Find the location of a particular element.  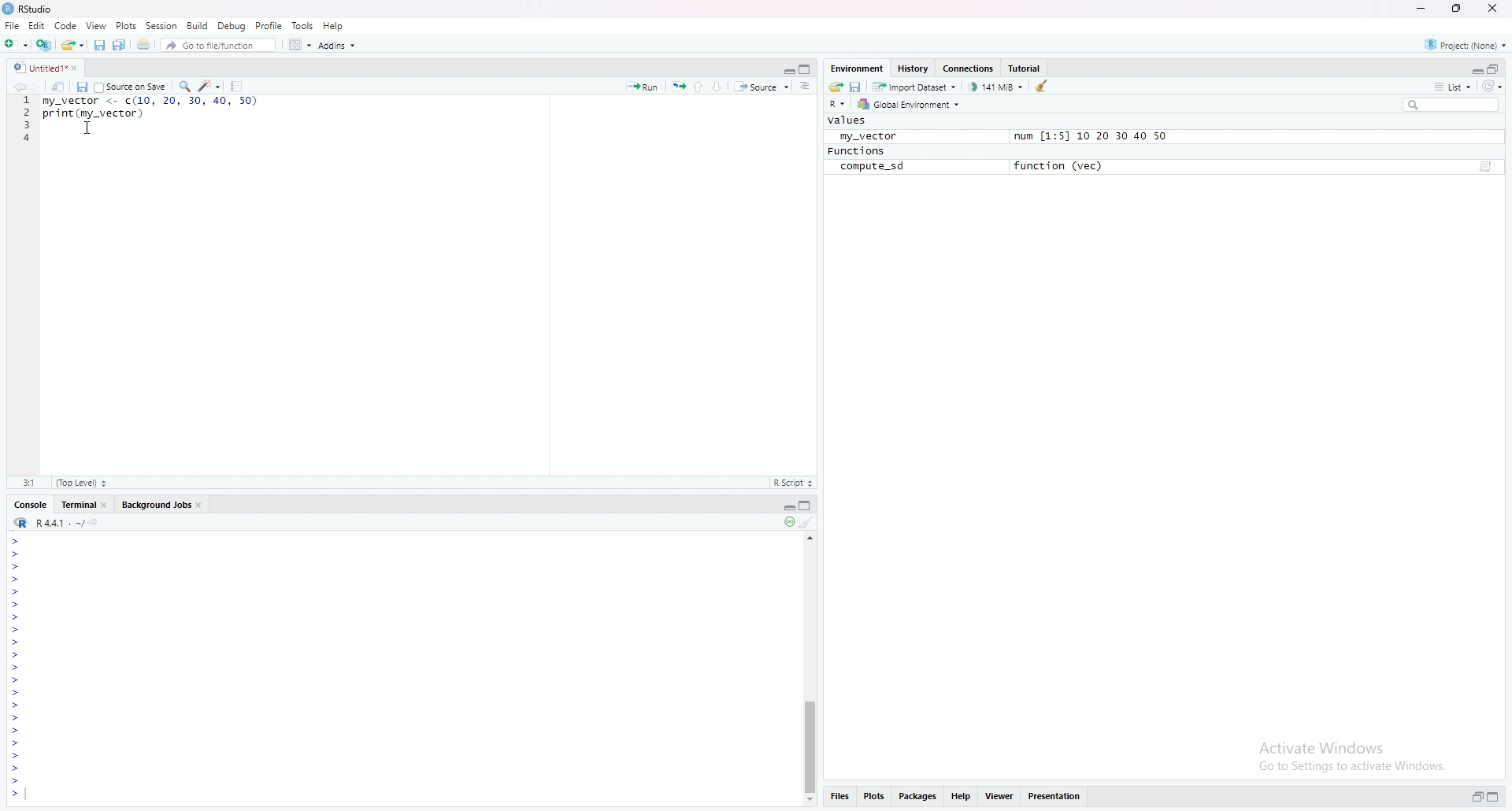

RStudio logo is located at coordinates (19, 68).